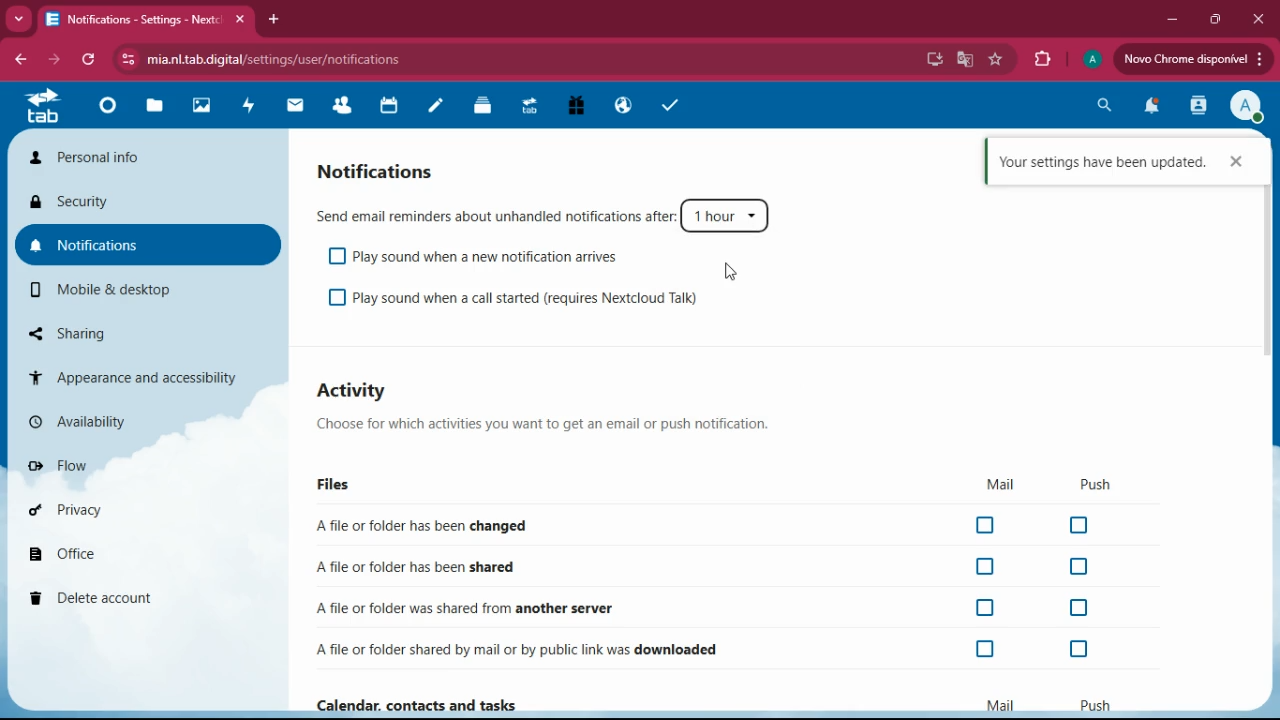 This screenshot has height=720, width=1280. I want to click on shared, so click(421, 569).